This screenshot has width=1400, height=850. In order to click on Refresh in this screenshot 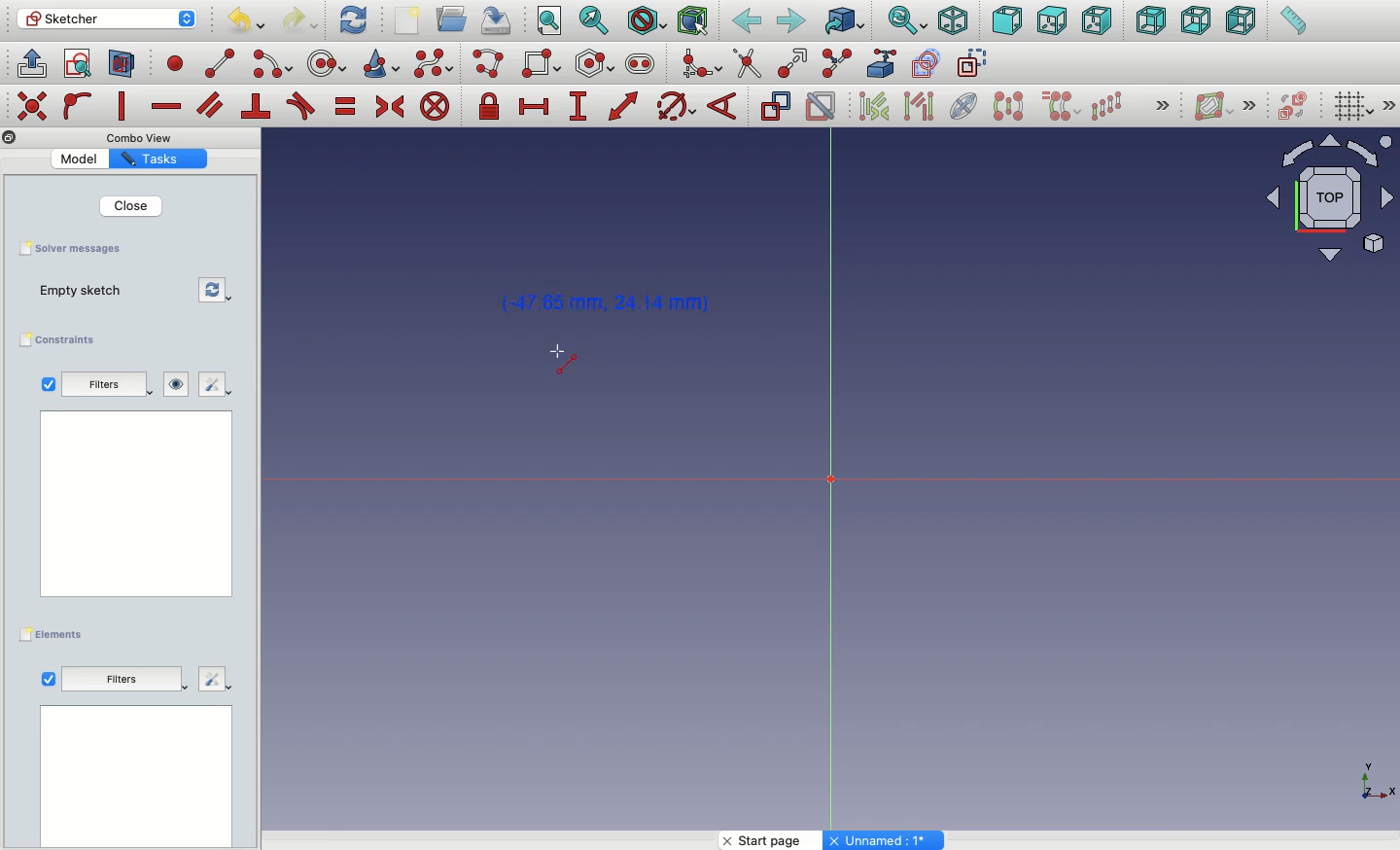, I will do `click(353, 20)`.